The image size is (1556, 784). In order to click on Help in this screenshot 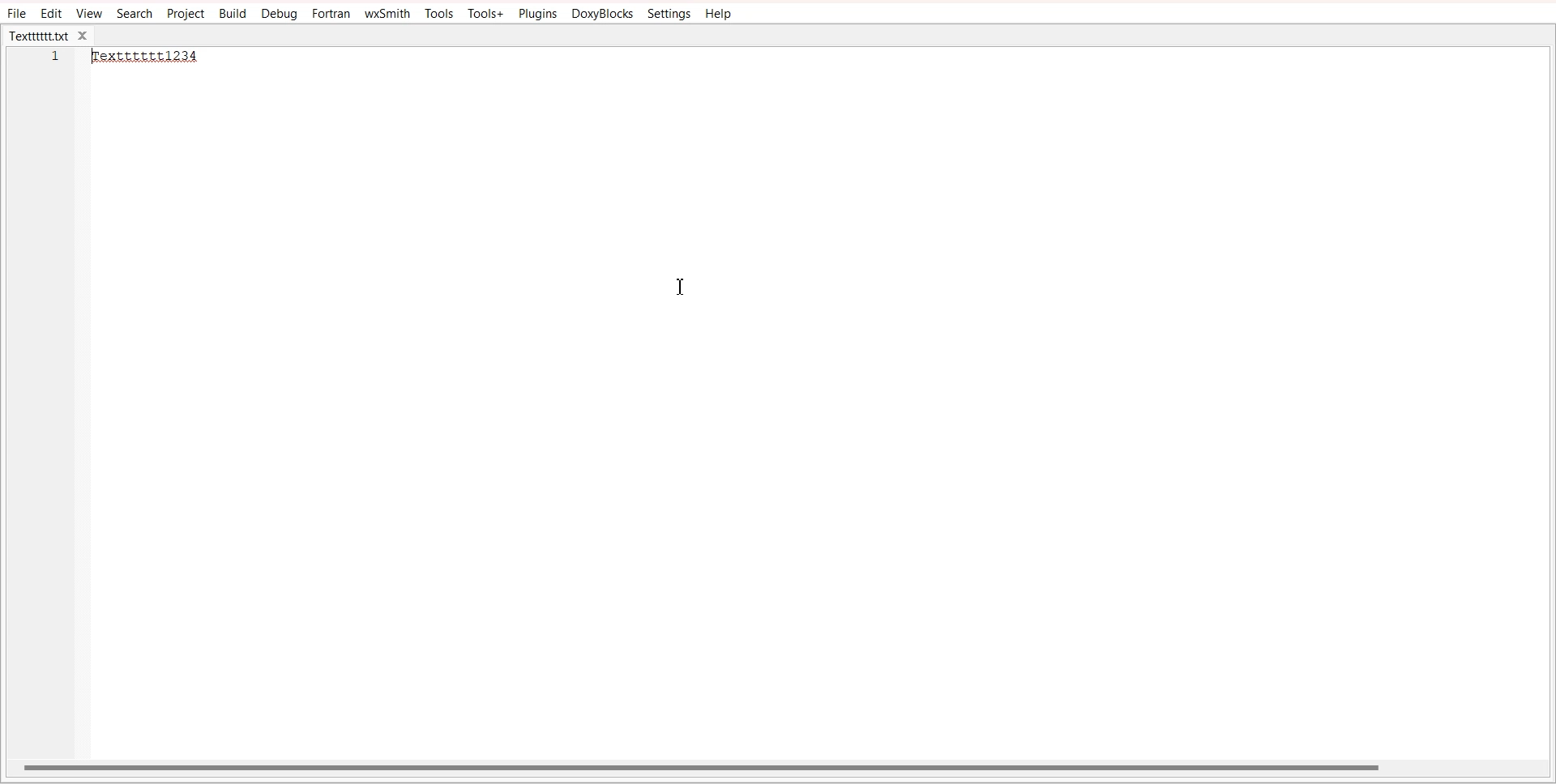, I will do `click(719, 14)`.